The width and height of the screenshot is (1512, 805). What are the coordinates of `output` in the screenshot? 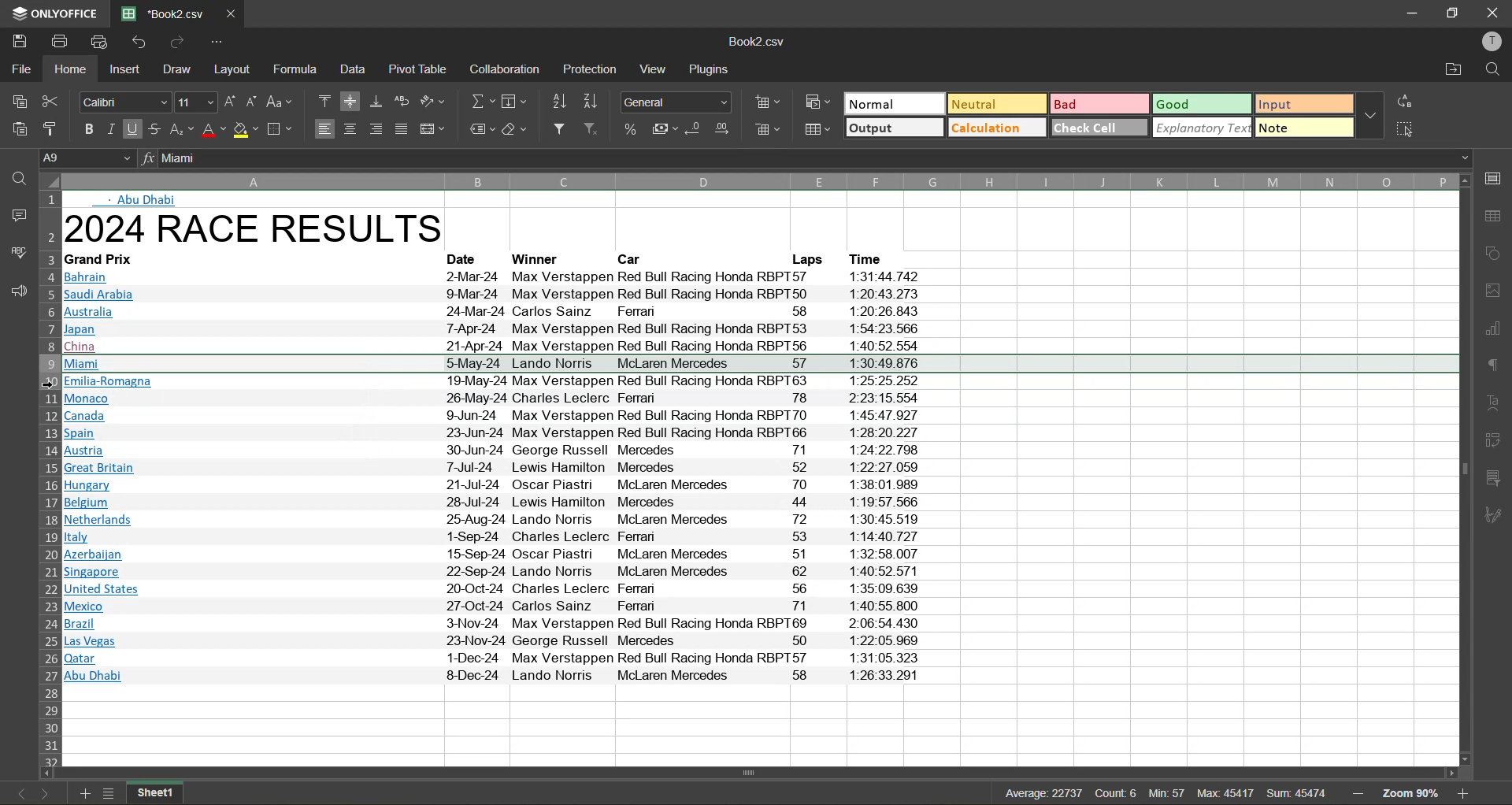 It's located at (893, 128).